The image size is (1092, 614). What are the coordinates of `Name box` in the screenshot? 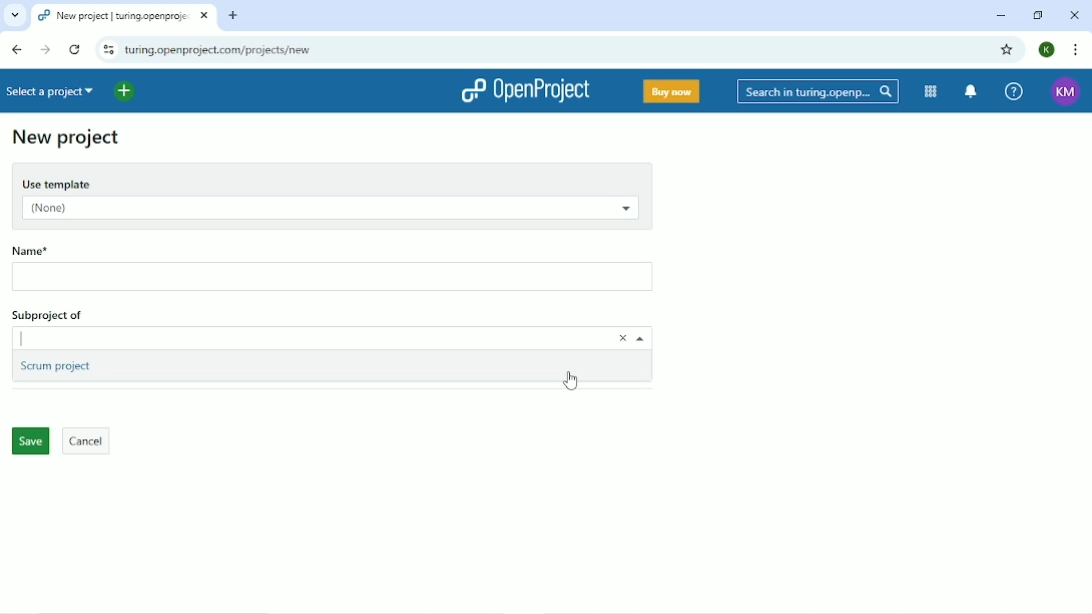 It's located at (335, 278).